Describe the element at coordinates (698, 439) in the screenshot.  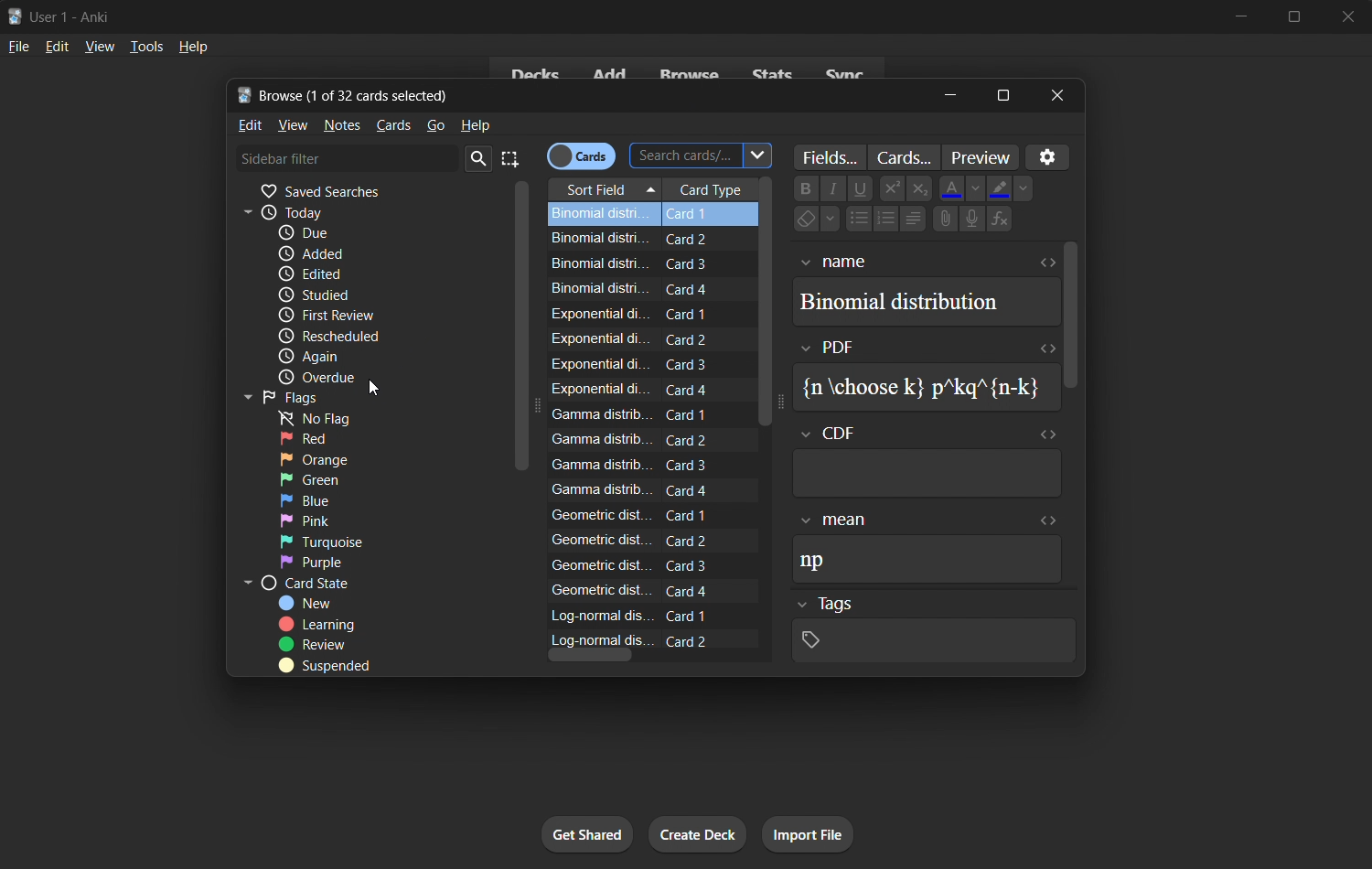
I see `Card 2` at that location.